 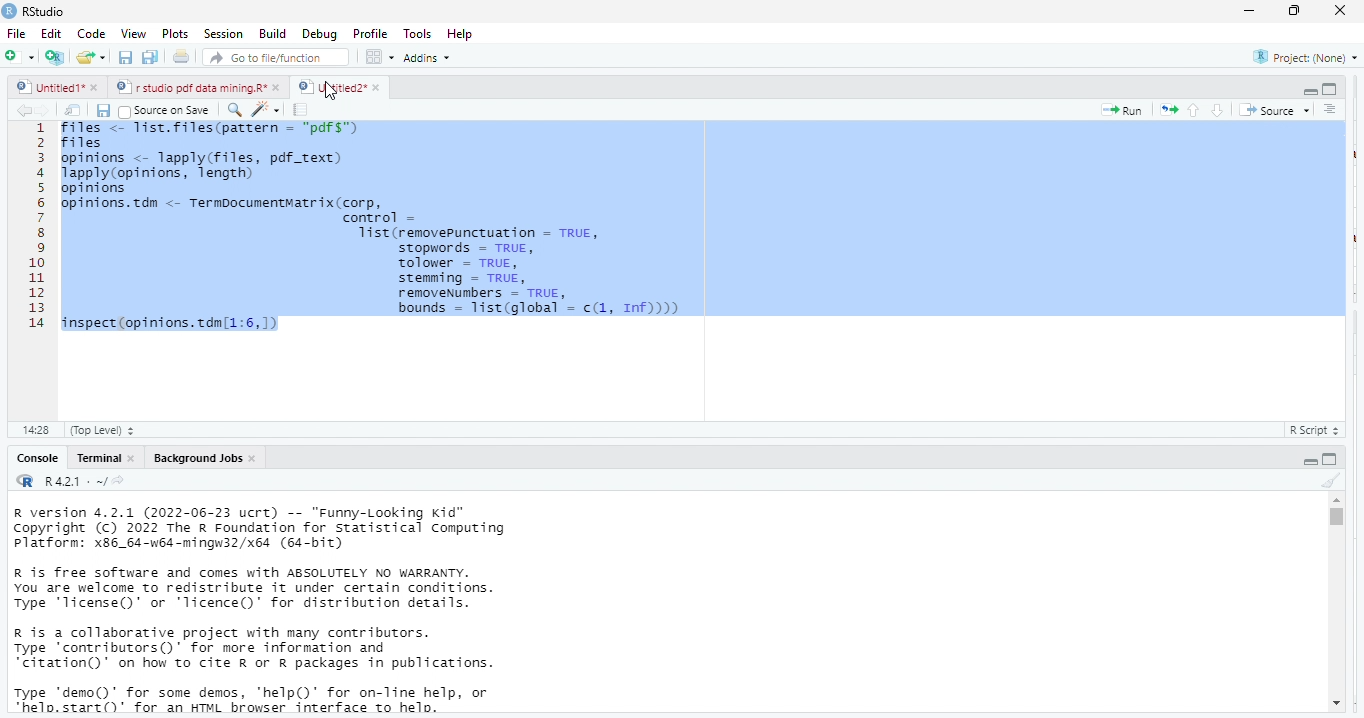 I want to click on show in new window, so click(x=75, y=110).